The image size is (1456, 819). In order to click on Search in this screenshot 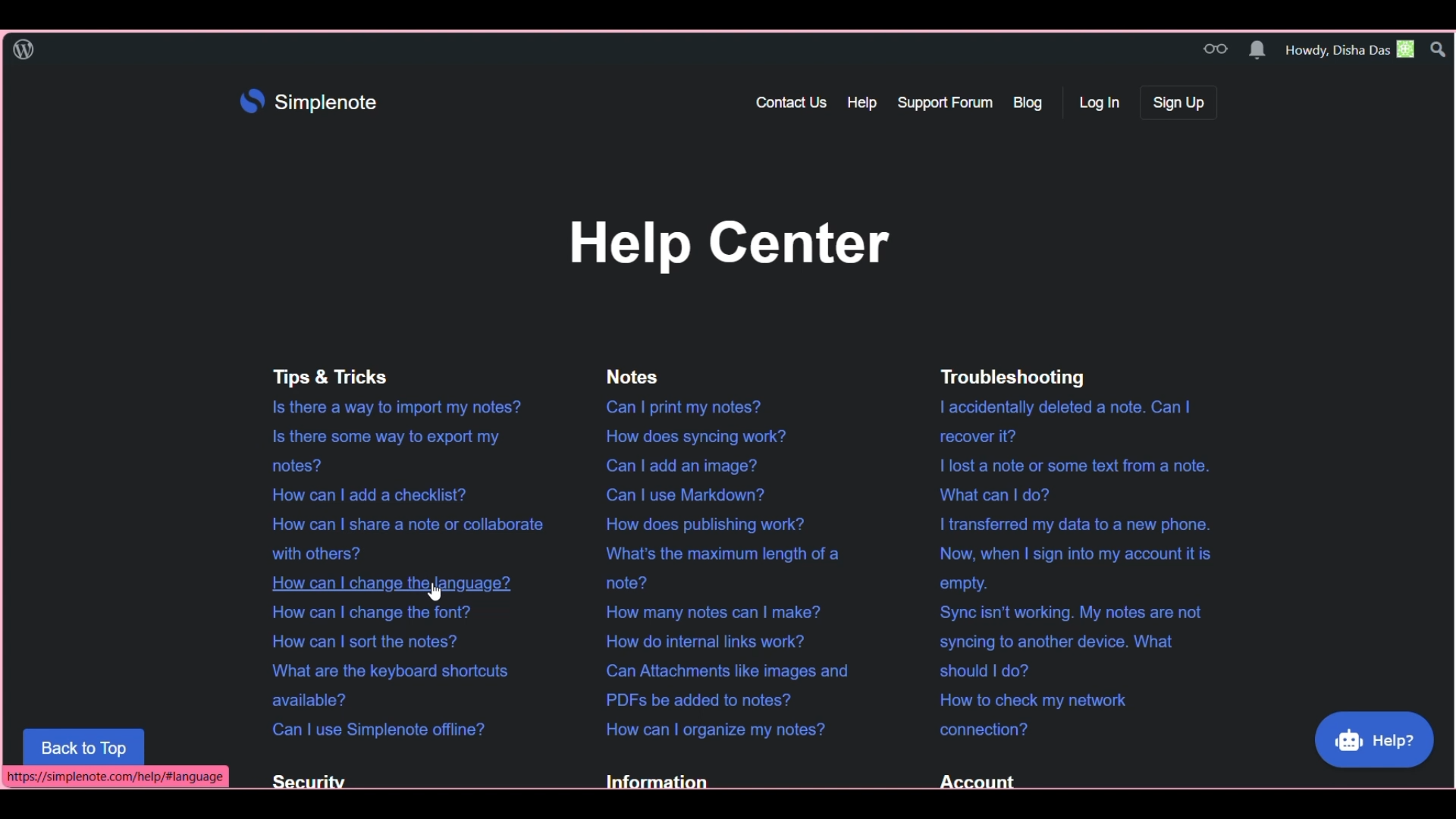, I will do `click(1439, 49)`.